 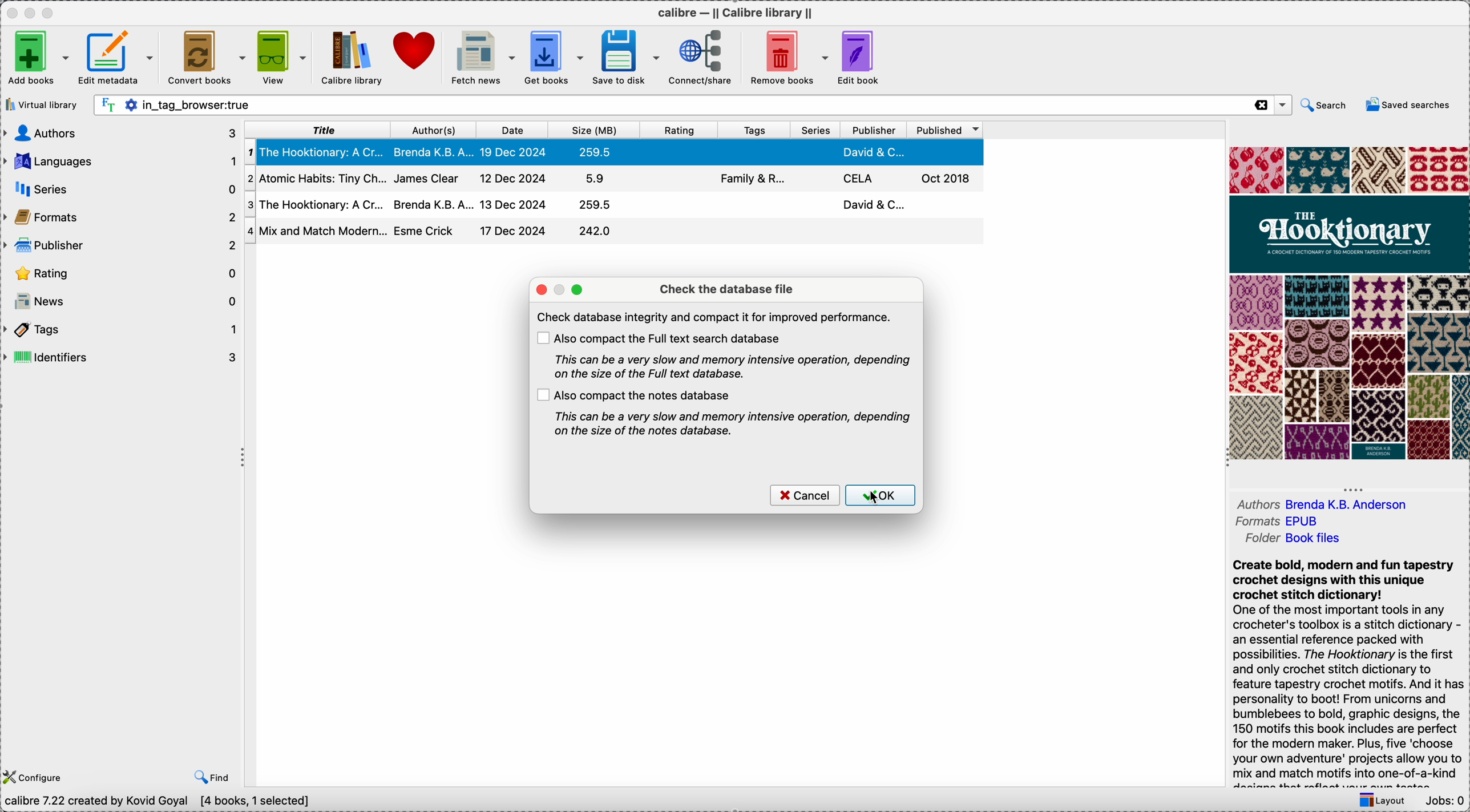 I want to click on Jobs: 0, so click(x=1445, y=801).